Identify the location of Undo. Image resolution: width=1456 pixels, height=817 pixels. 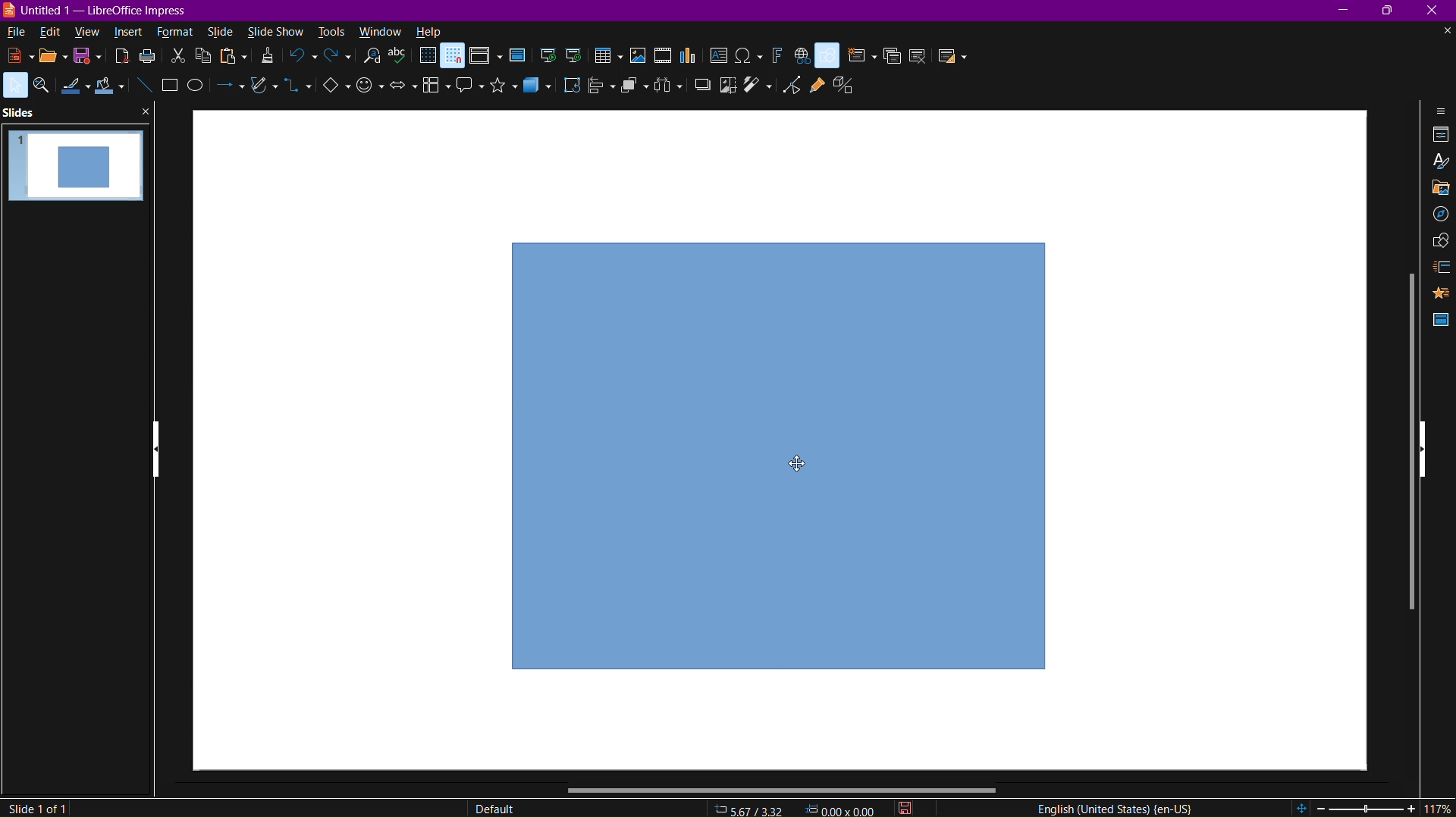
(303, 58).